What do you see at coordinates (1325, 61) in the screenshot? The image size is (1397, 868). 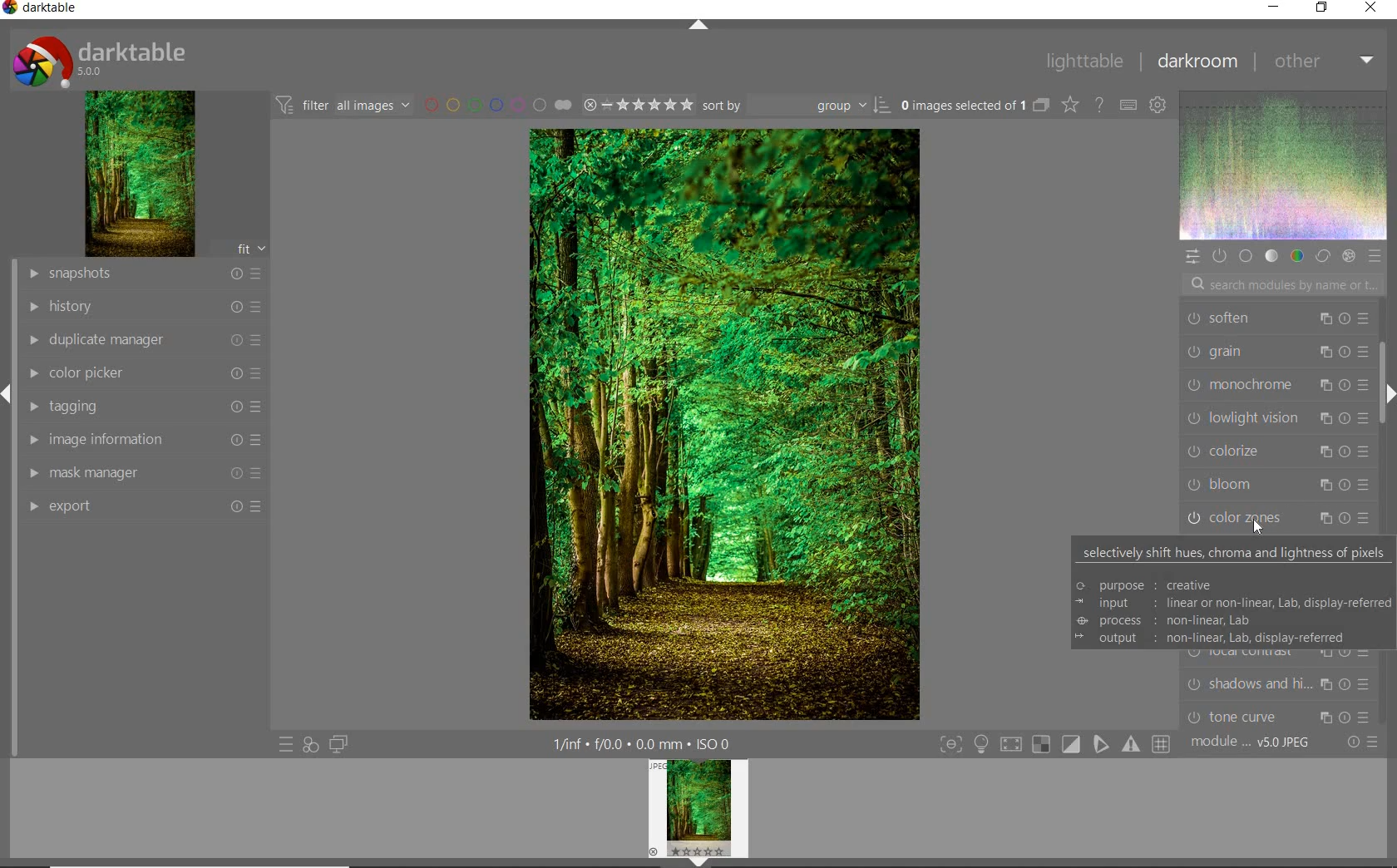 I see `OTHER` at bounding box center [1325, 61].